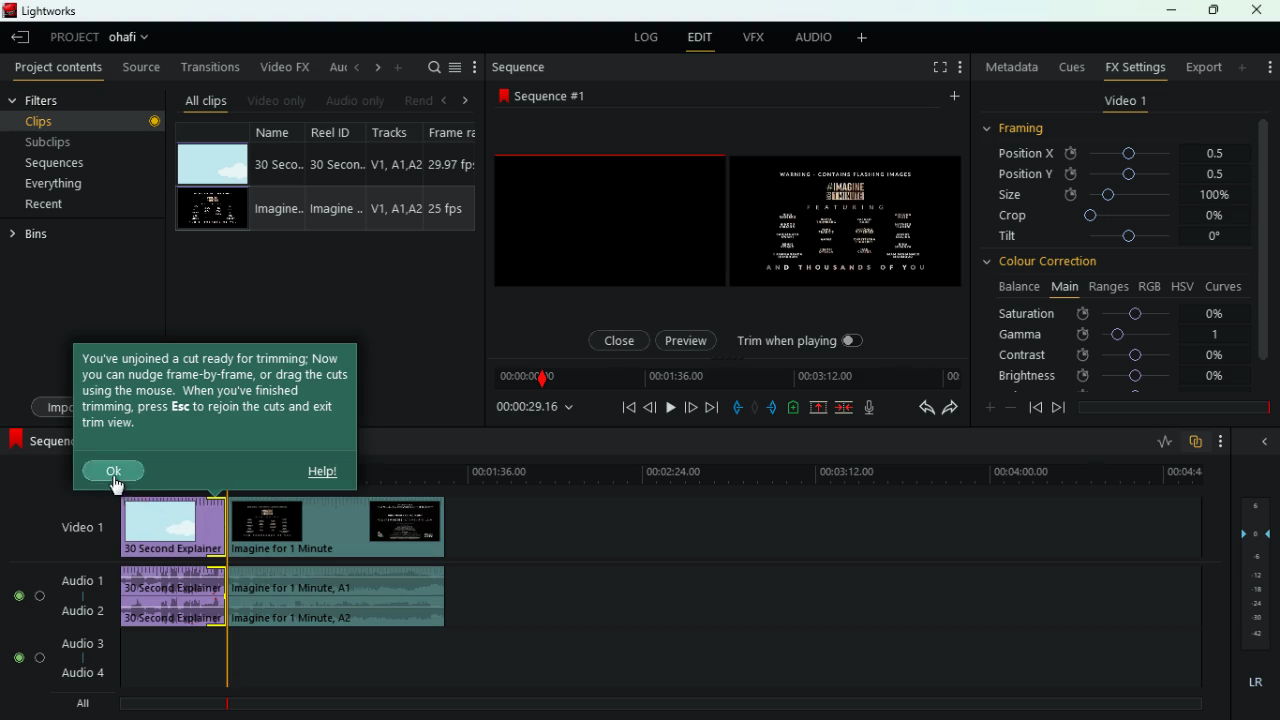  Describe the element at coordinates (1226, 285) in the screenshot. I see `curves` at that location.